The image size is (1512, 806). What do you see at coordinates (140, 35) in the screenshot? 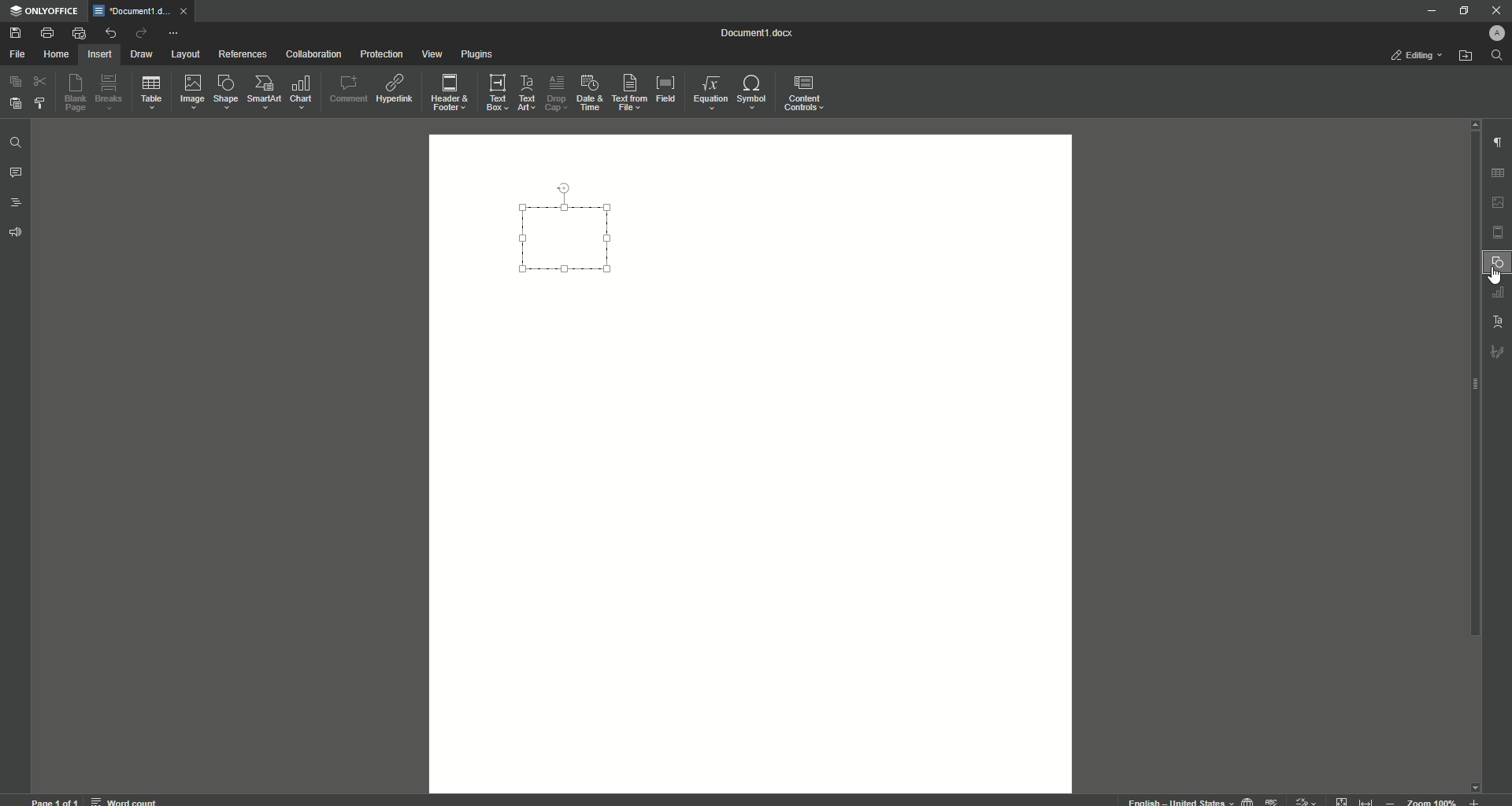
I see `Redo` at bounding box center [140, 35].